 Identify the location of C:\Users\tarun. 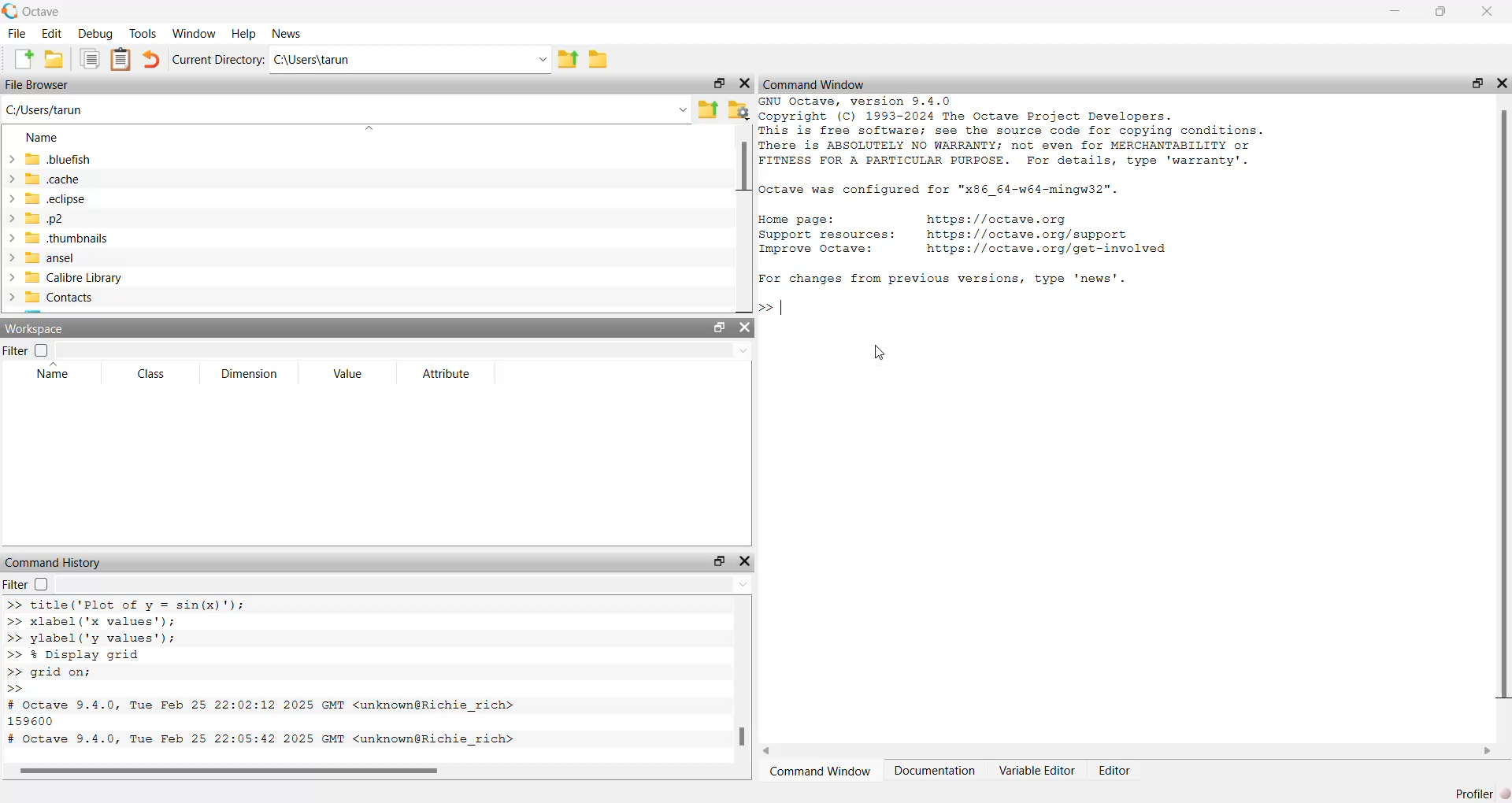
(410, 59).